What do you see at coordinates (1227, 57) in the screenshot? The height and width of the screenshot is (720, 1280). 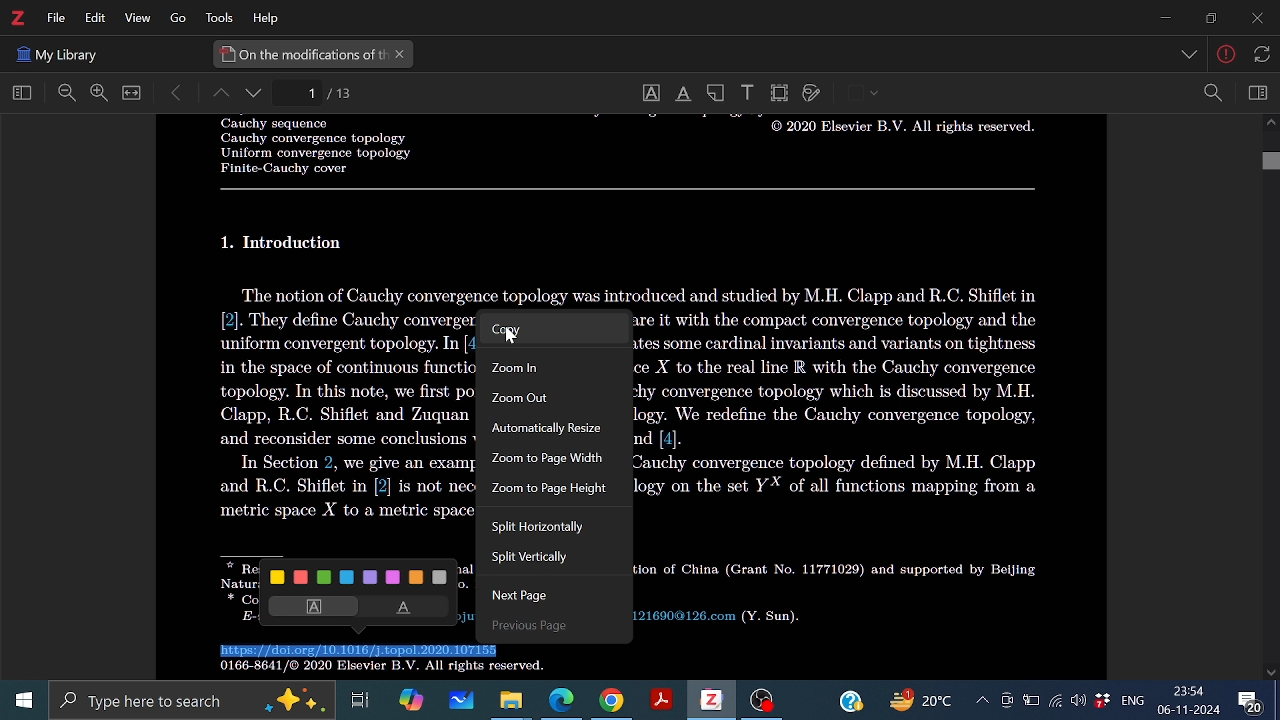 I see `` at bounding box center [1227, 57].